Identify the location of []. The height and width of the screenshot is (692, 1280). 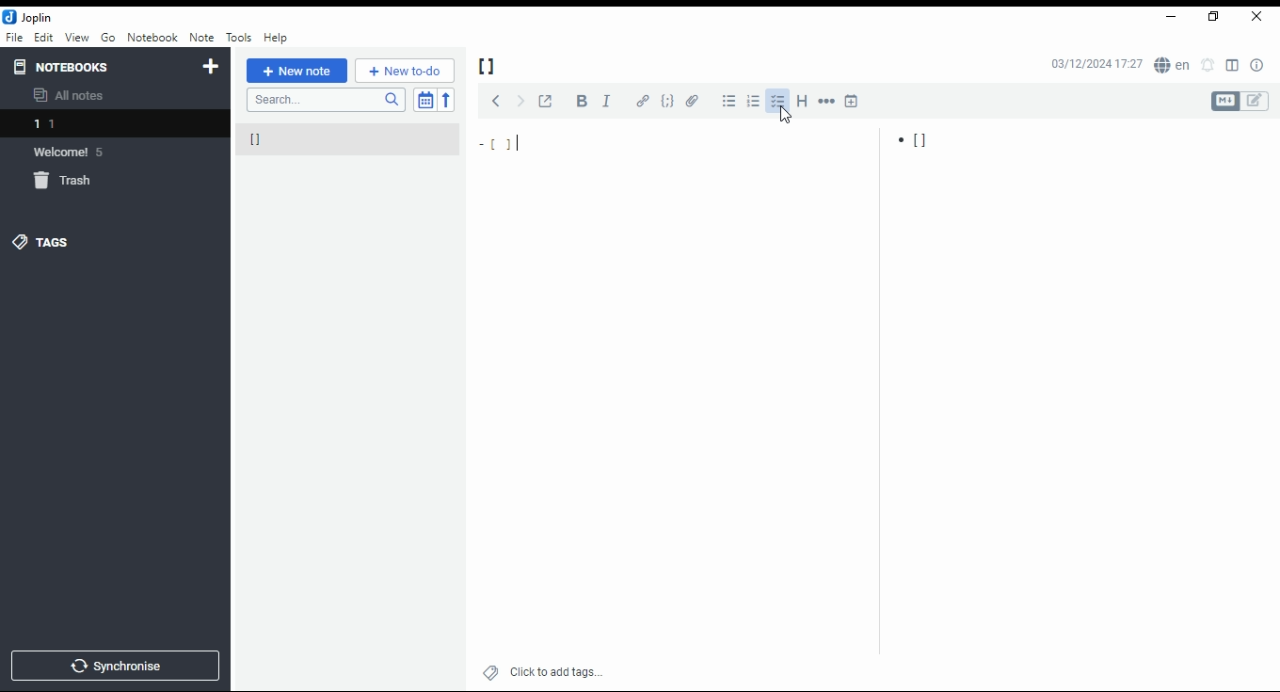
(914, 140).